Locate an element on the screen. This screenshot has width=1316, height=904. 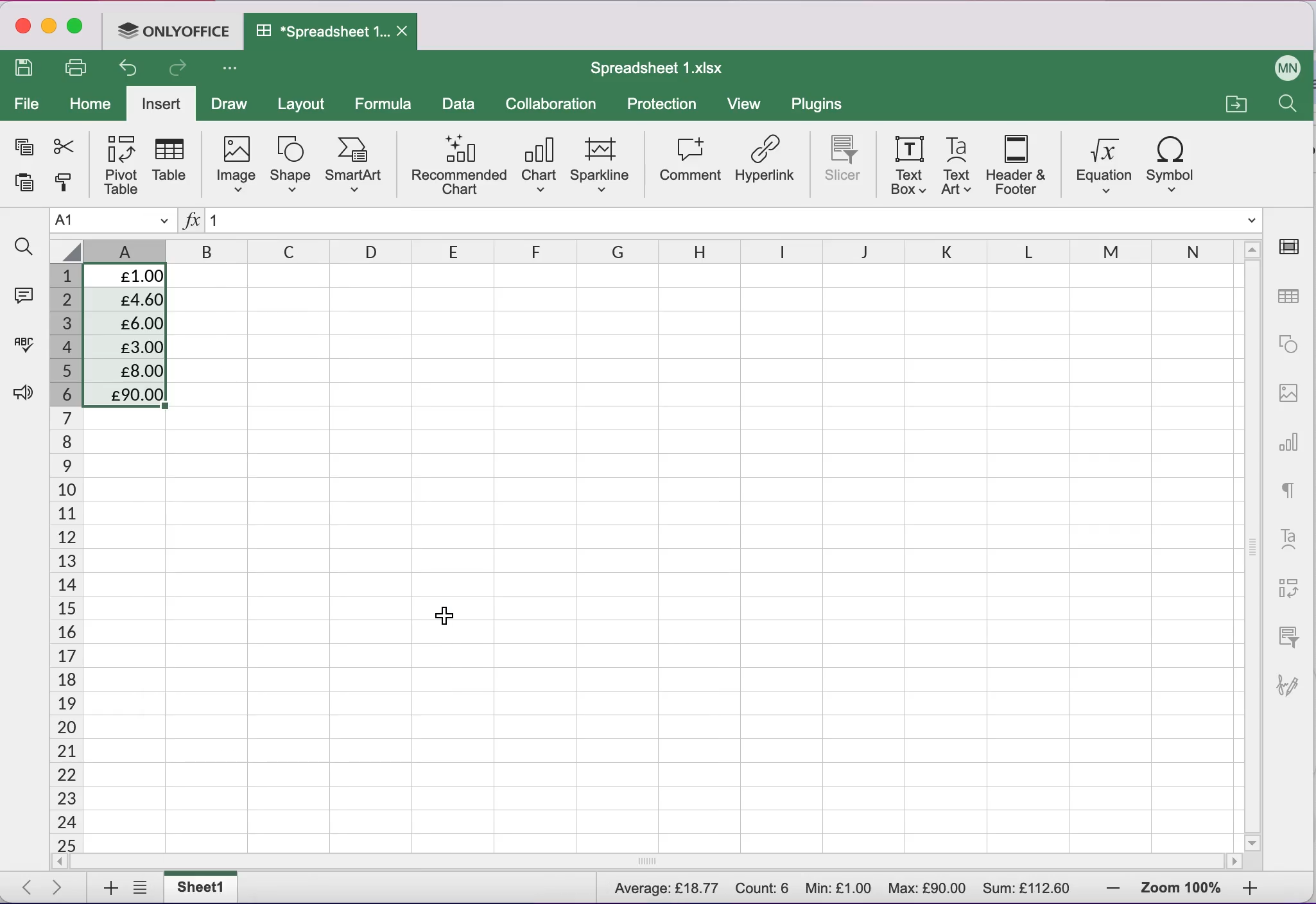
find is located at coordinates (1282, 104).